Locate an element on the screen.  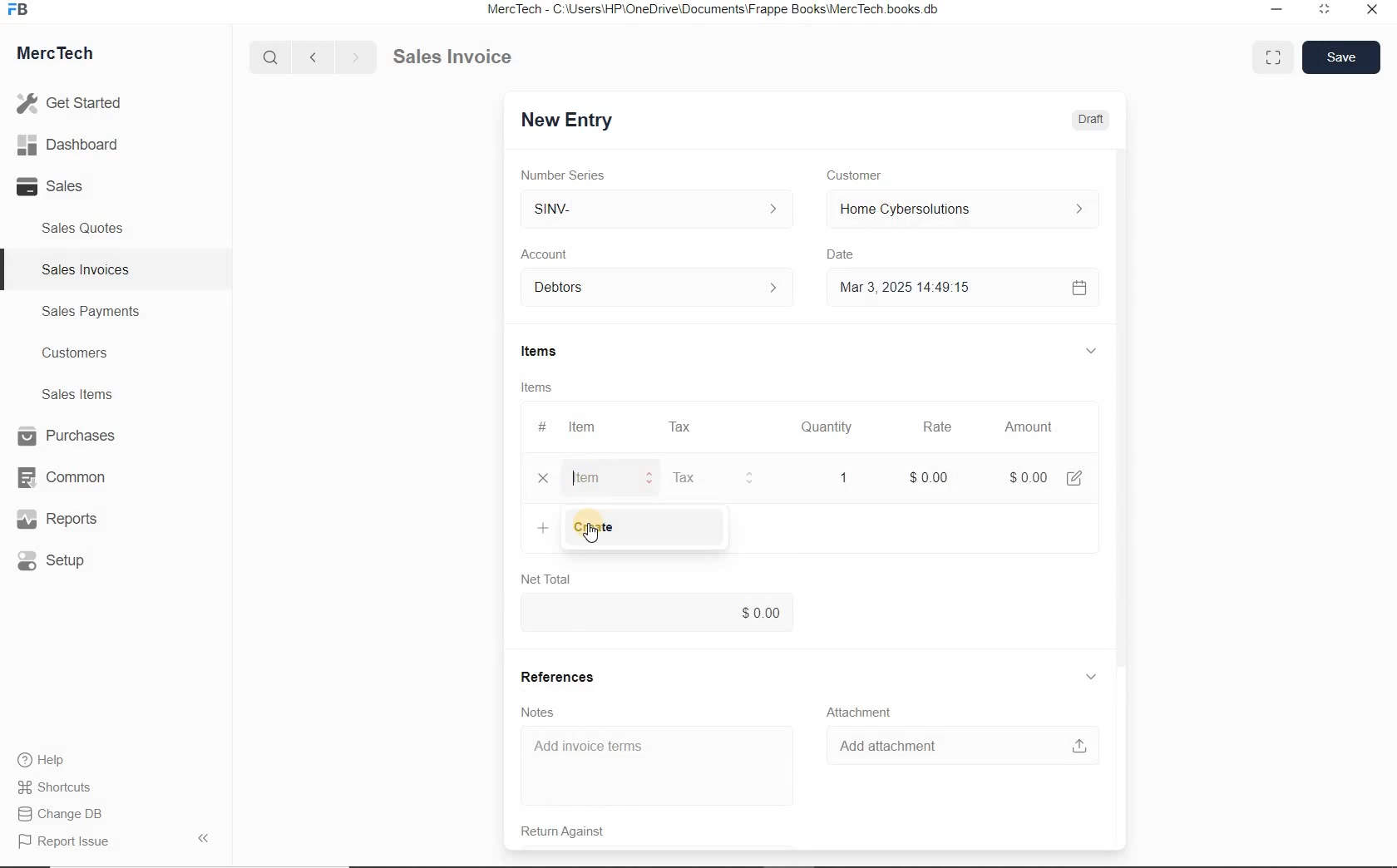
amount: $0.00 is located at coordinates (1022, 476).